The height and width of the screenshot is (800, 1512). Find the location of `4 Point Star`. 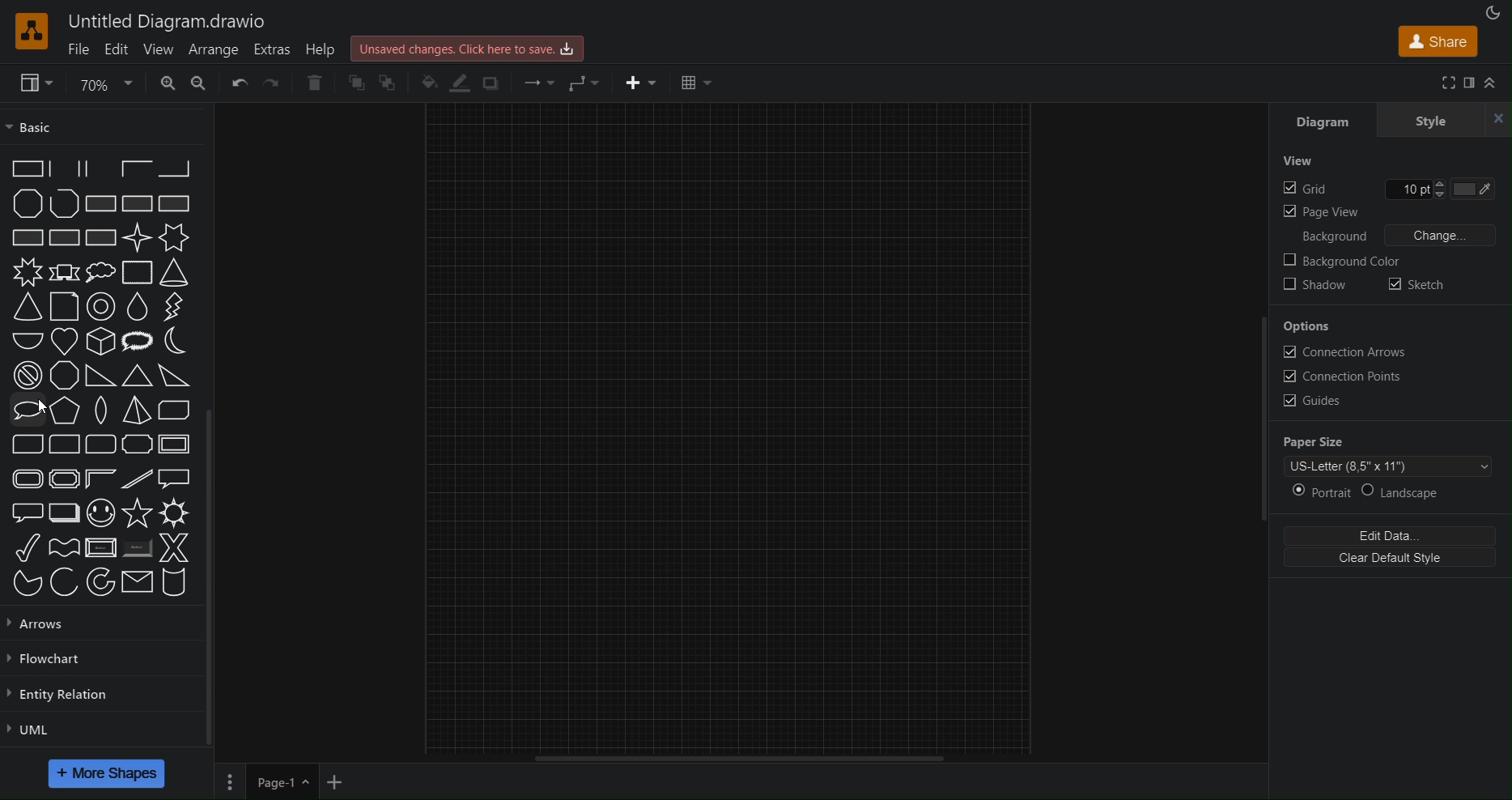

4 Point Star is located at coordinates (138, 237).